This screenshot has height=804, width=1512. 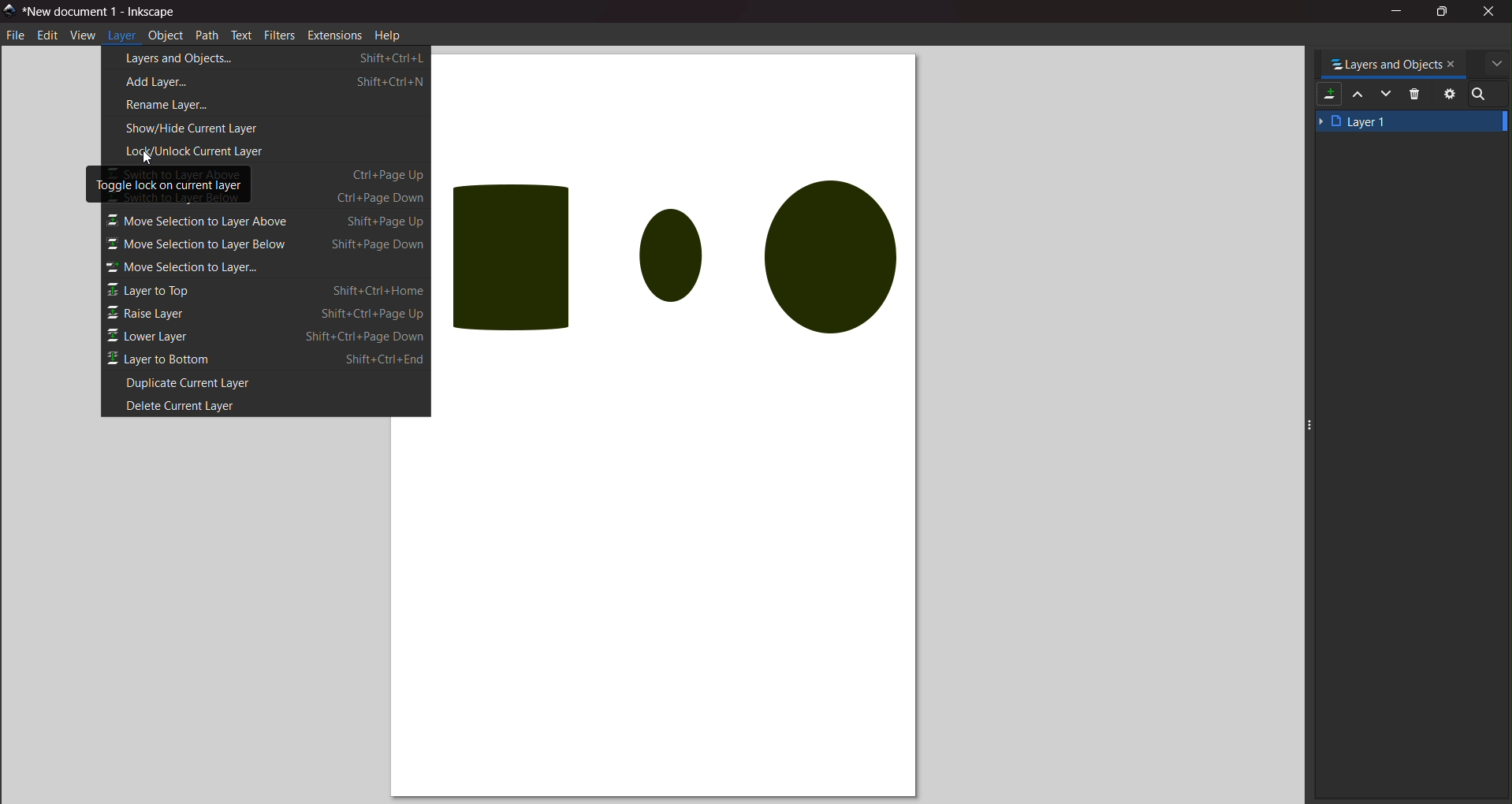 I want to click on path, so click(x=207, y=35).